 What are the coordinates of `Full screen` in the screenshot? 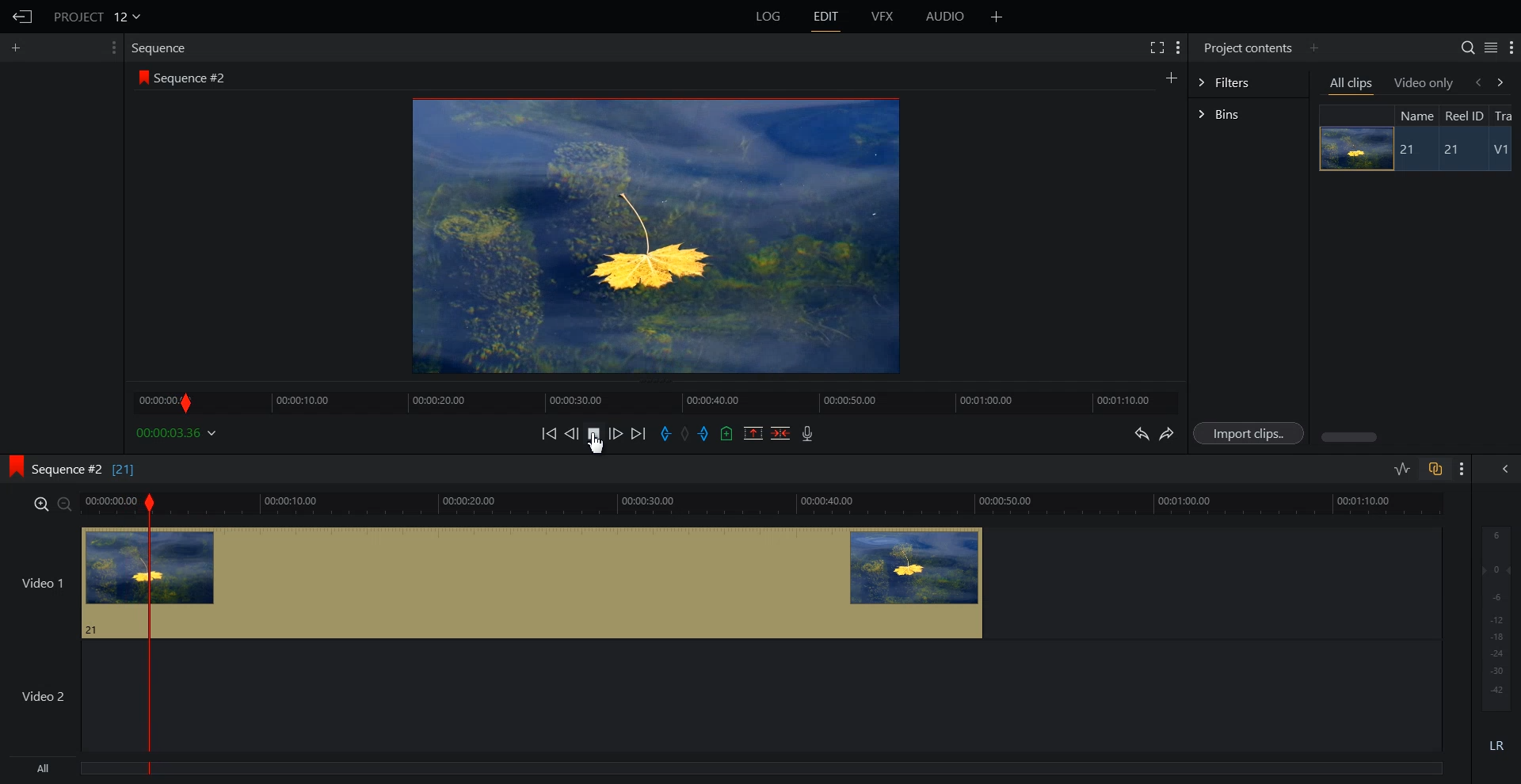 It's located at (1156, 46).